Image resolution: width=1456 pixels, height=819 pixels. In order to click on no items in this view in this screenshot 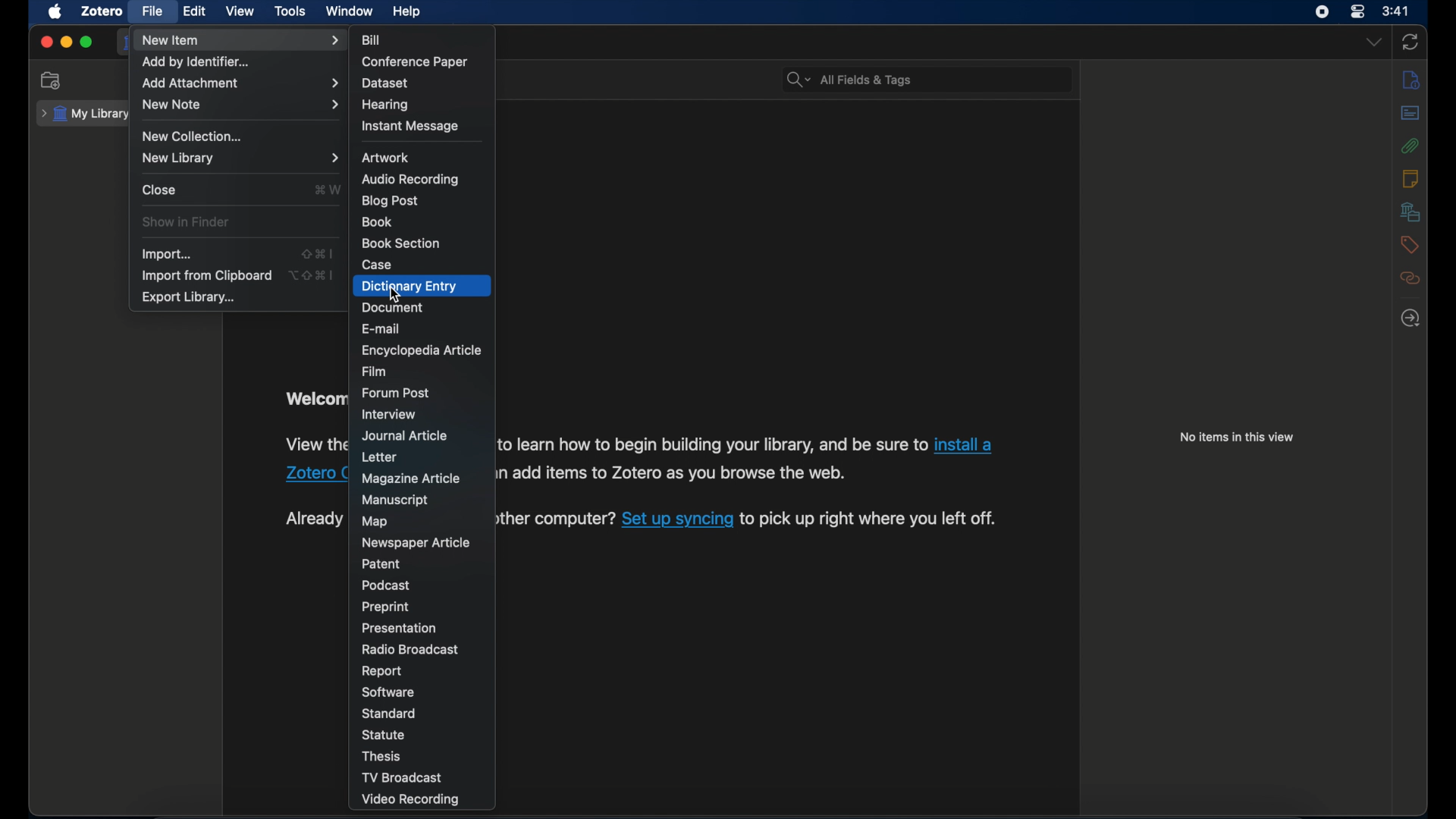, I will do `click(1241, 437)`.